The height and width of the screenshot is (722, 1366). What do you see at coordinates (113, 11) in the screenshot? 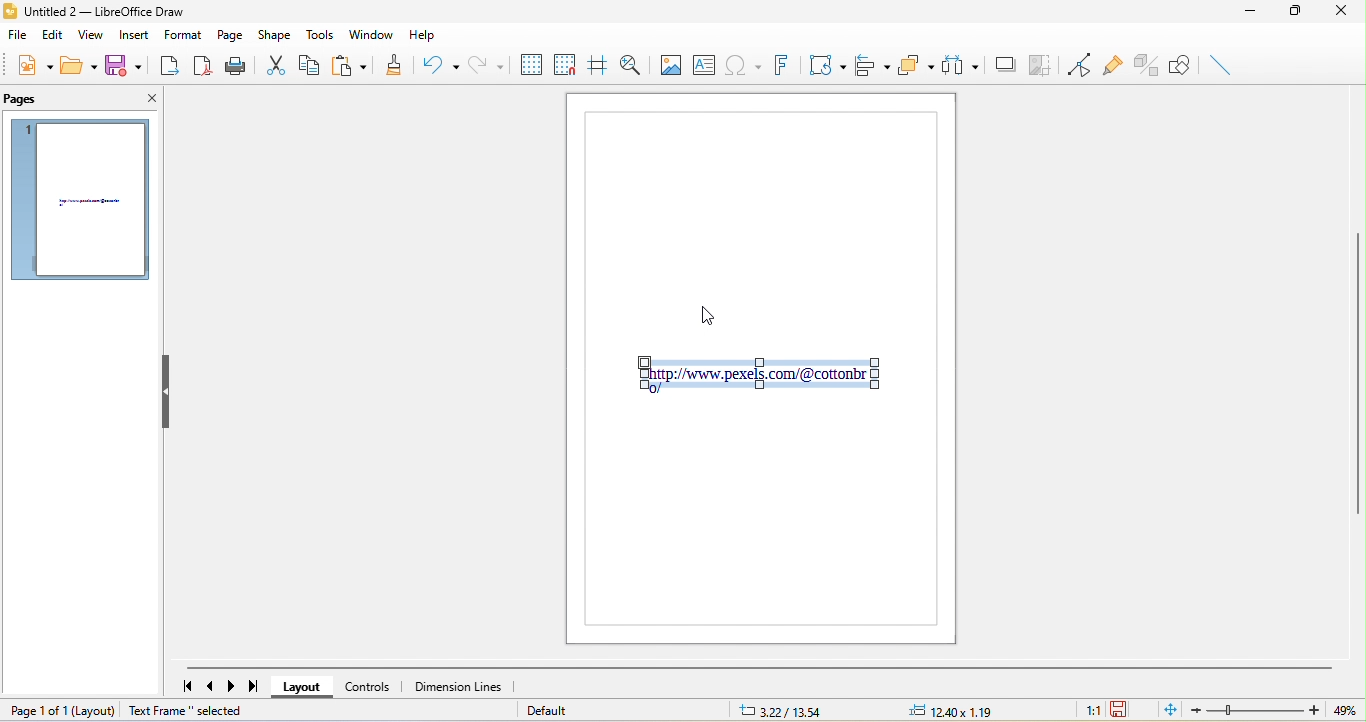
I see `Untitled 2 — LibreOffice Draw` at bounding box center [113, 11].